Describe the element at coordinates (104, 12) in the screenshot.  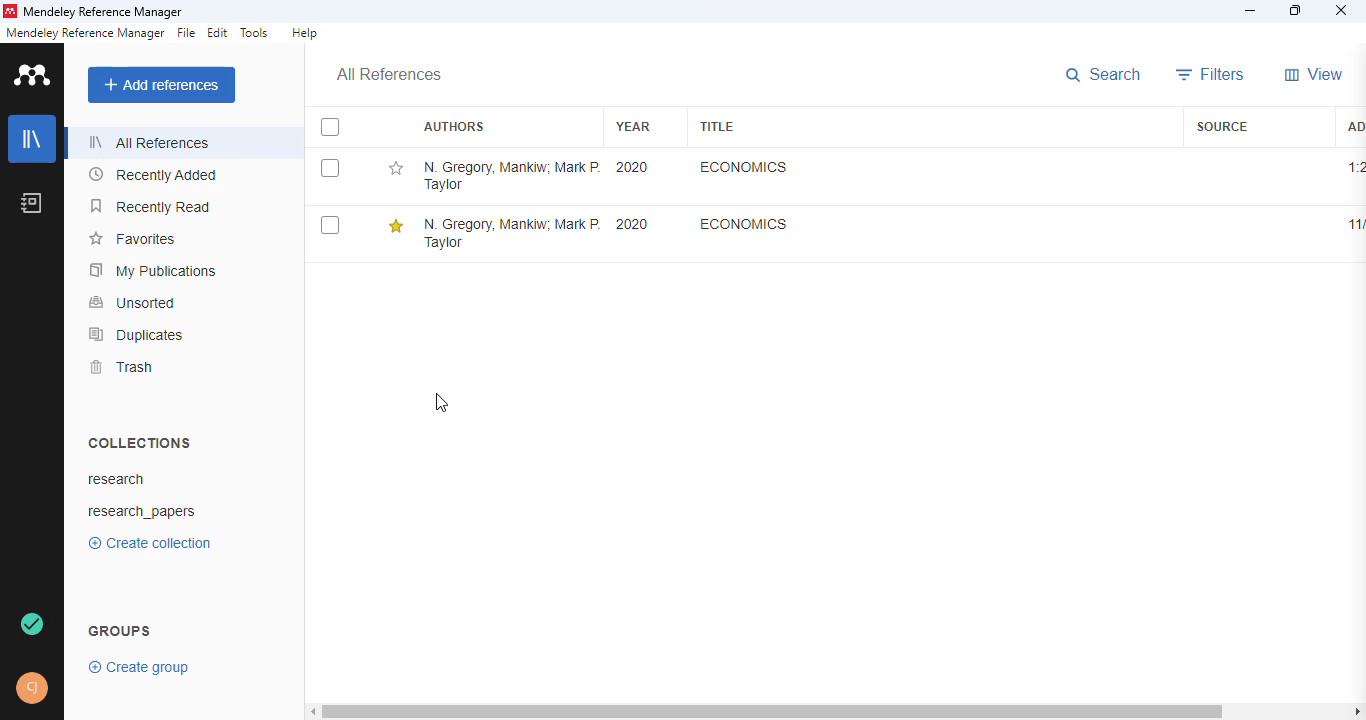
I see `mendeley reference manager` at that location.